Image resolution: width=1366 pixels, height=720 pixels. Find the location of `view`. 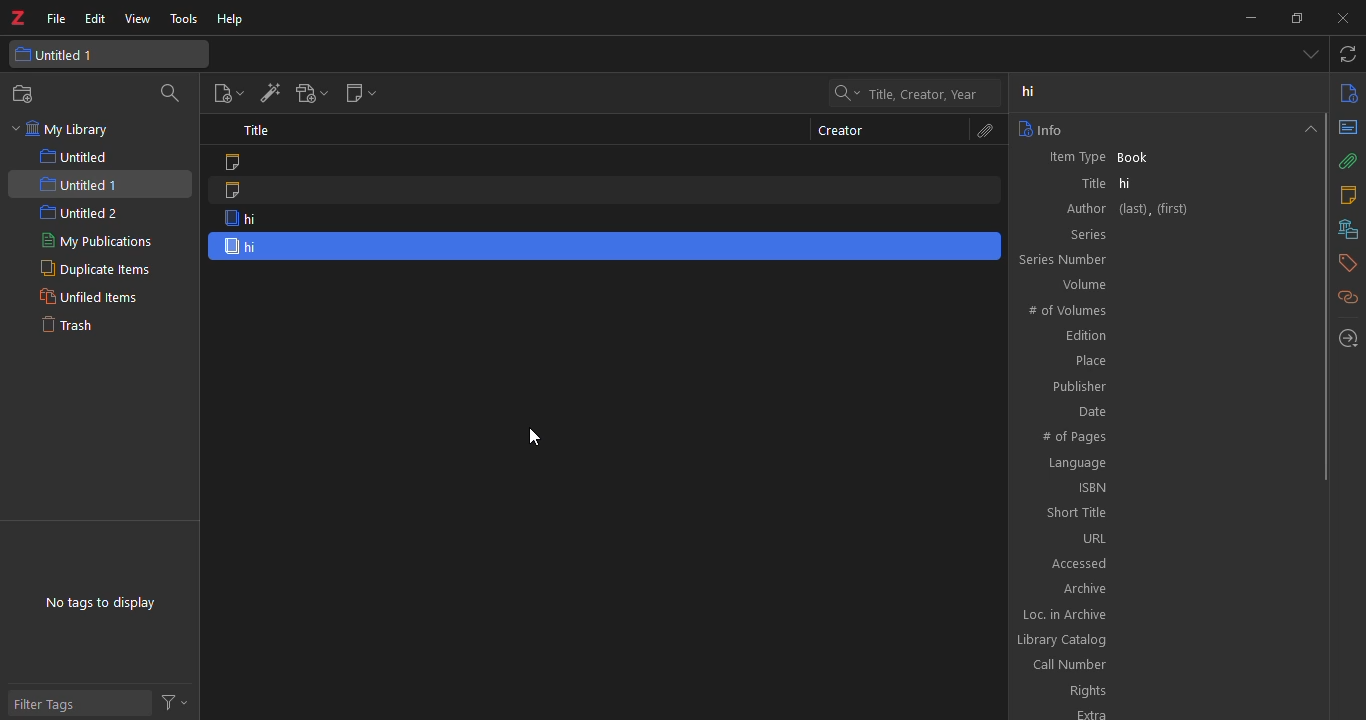

view is located at coordinates (139, 20).